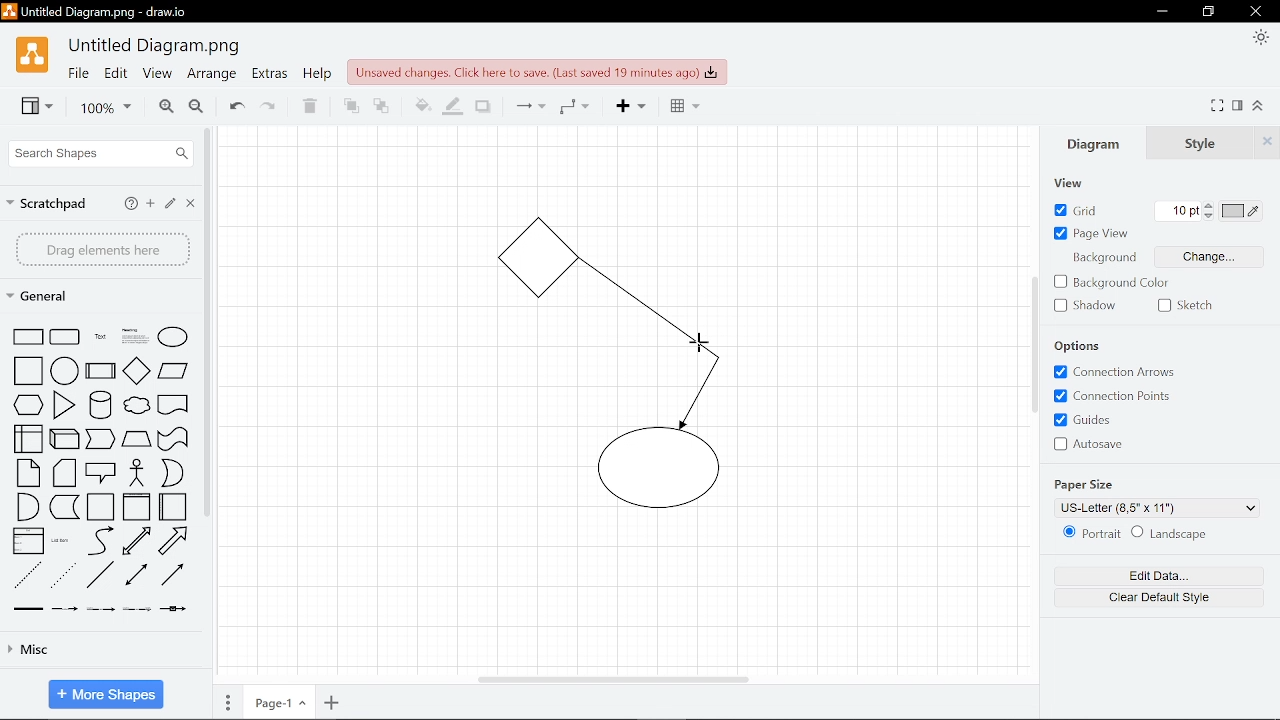  What do you see at coordinates (1177, 212) in the screenshot?
I see `Current grid distribution` at bounding box center [1177, 212].